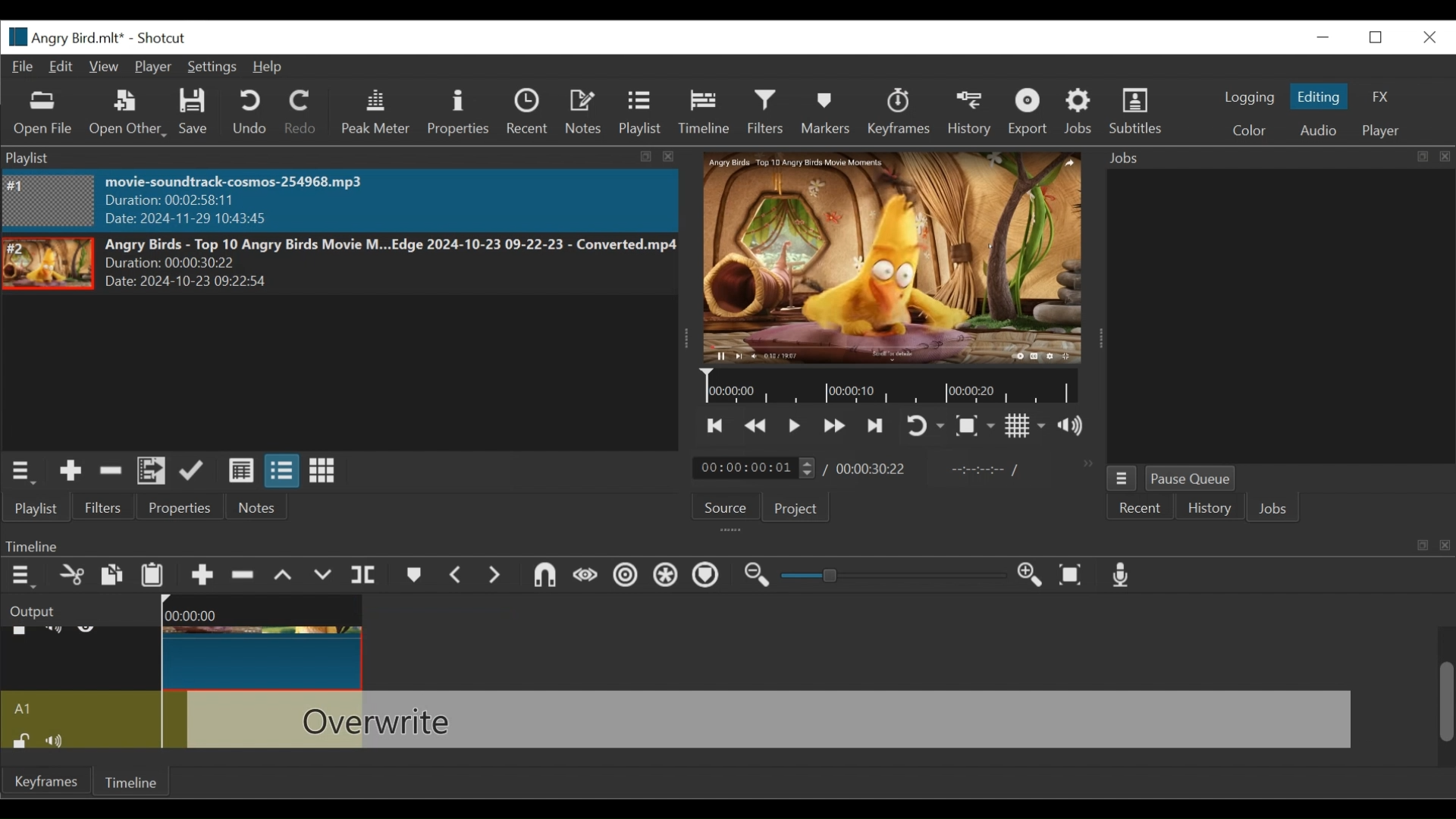 This screenshot has width=1456, height=819. Describe the element at coordinates (1276, 508) in the screenshot. I see `Jobs` at that location.